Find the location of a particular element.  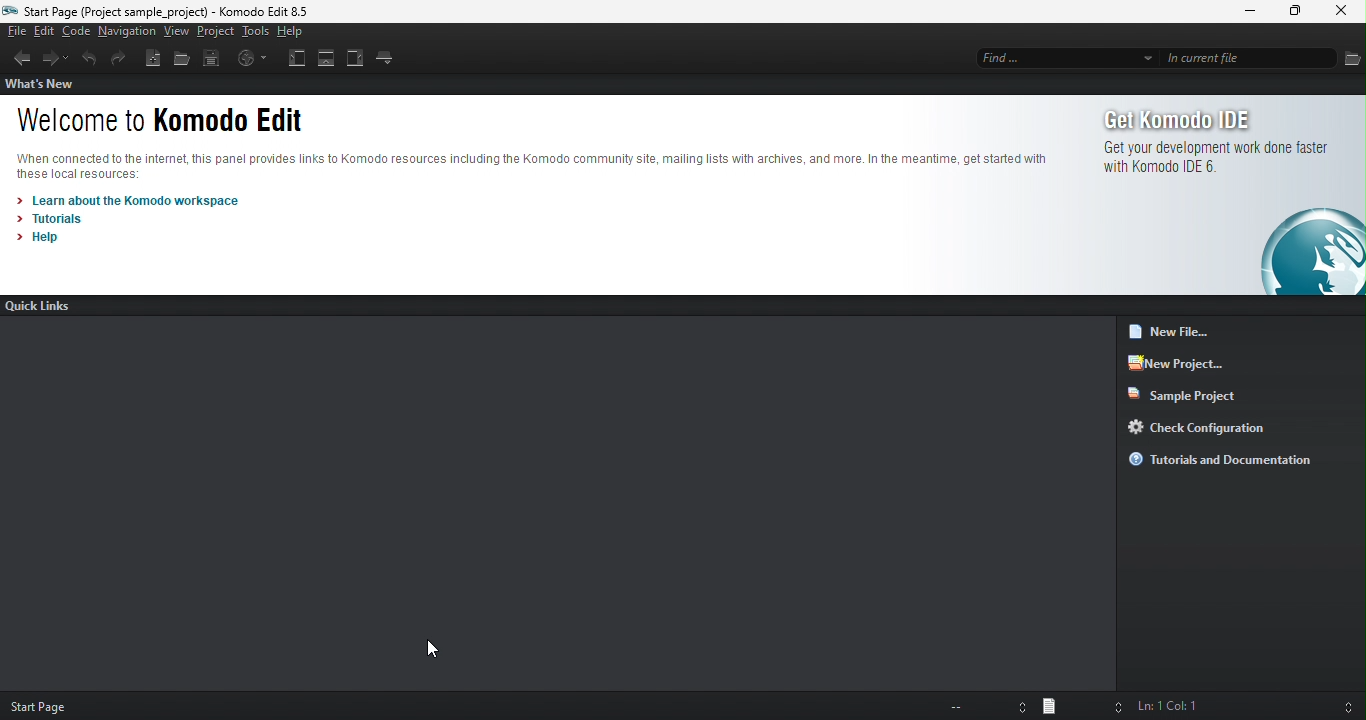

close is located at coordinates (1345, 10).